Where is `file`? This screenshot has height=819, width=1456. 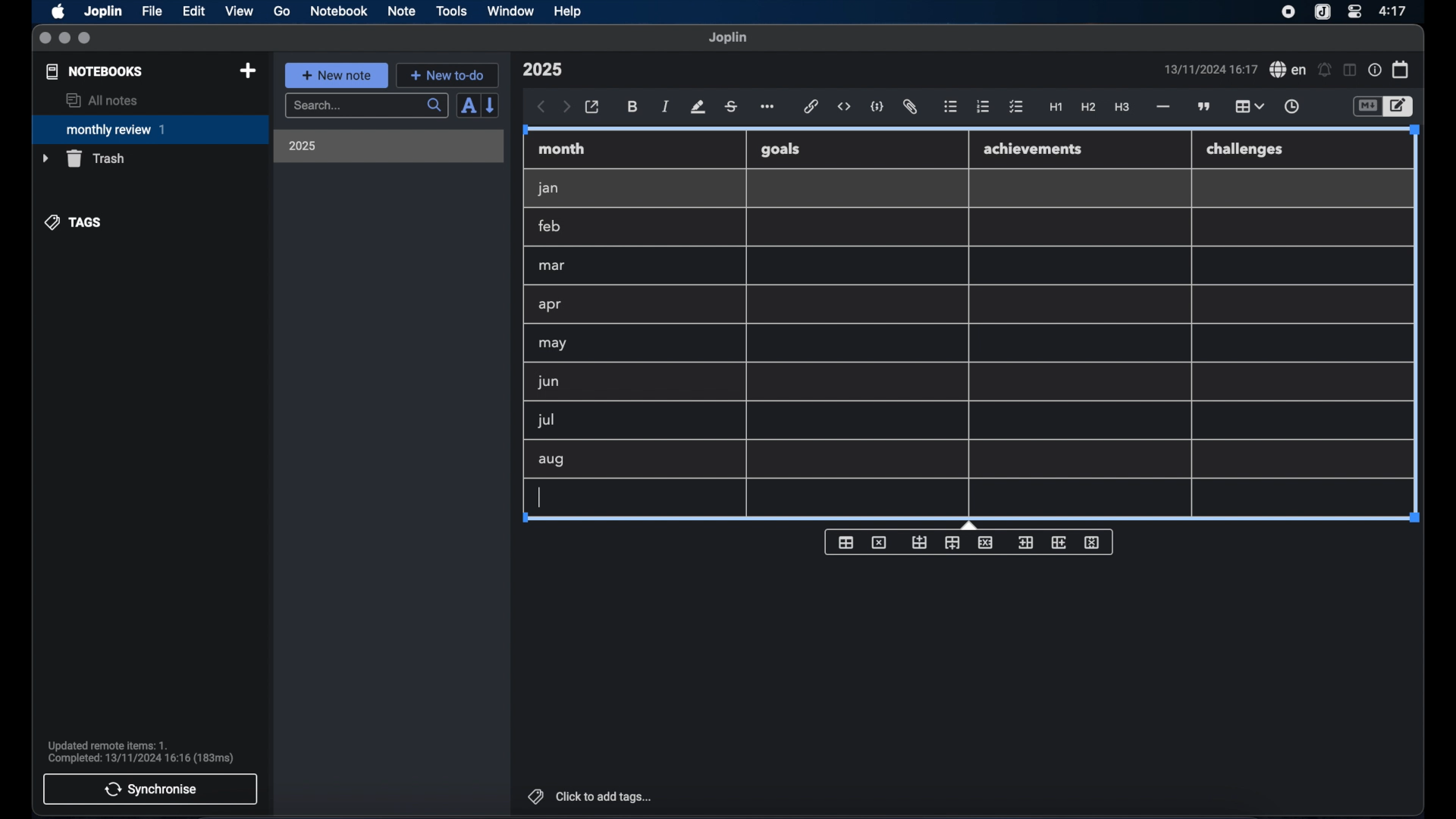
file is located at coordinates (152, 11).